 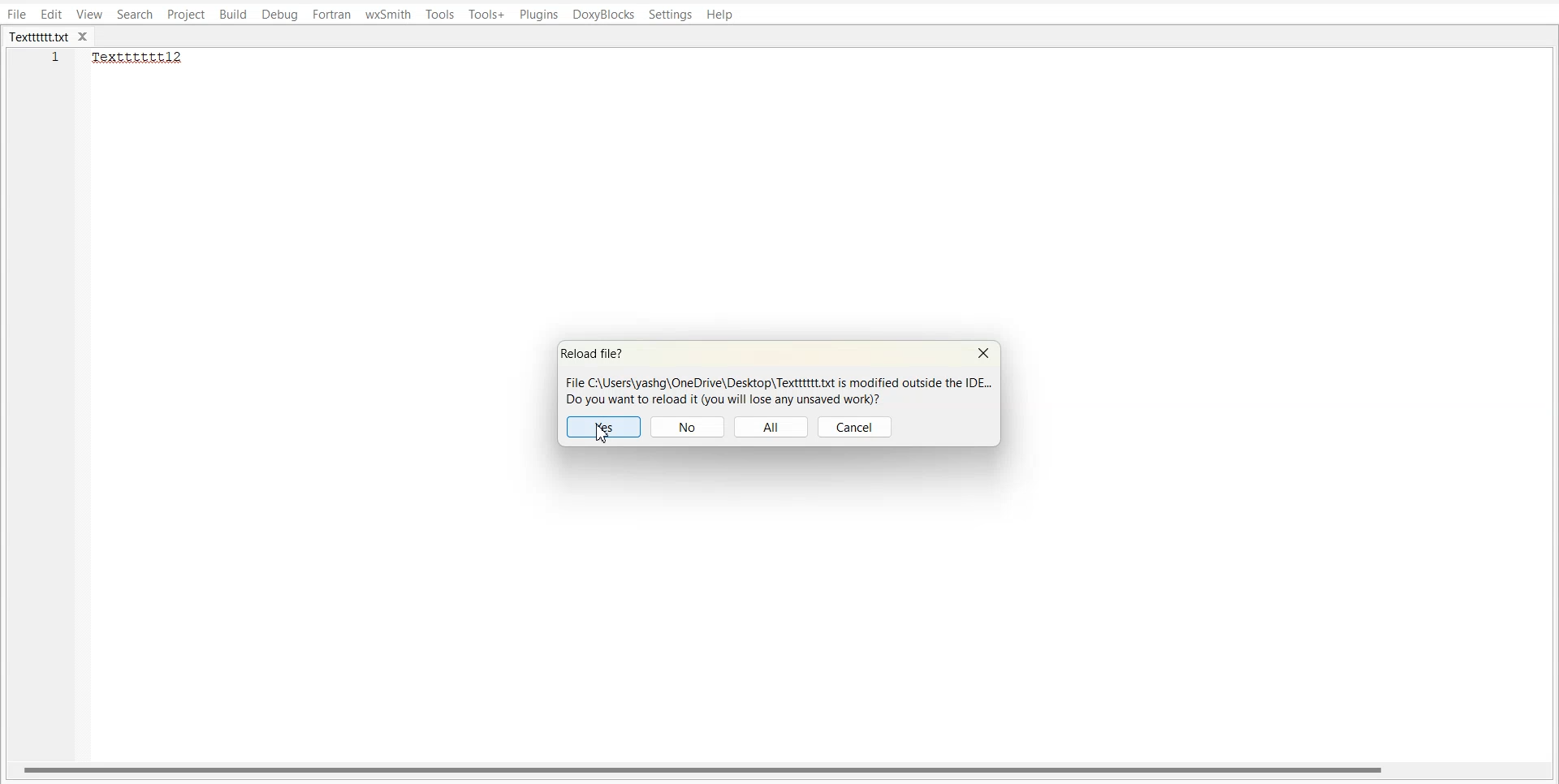 I want to click on Textttttt.txt, so click(x=39, y=37).